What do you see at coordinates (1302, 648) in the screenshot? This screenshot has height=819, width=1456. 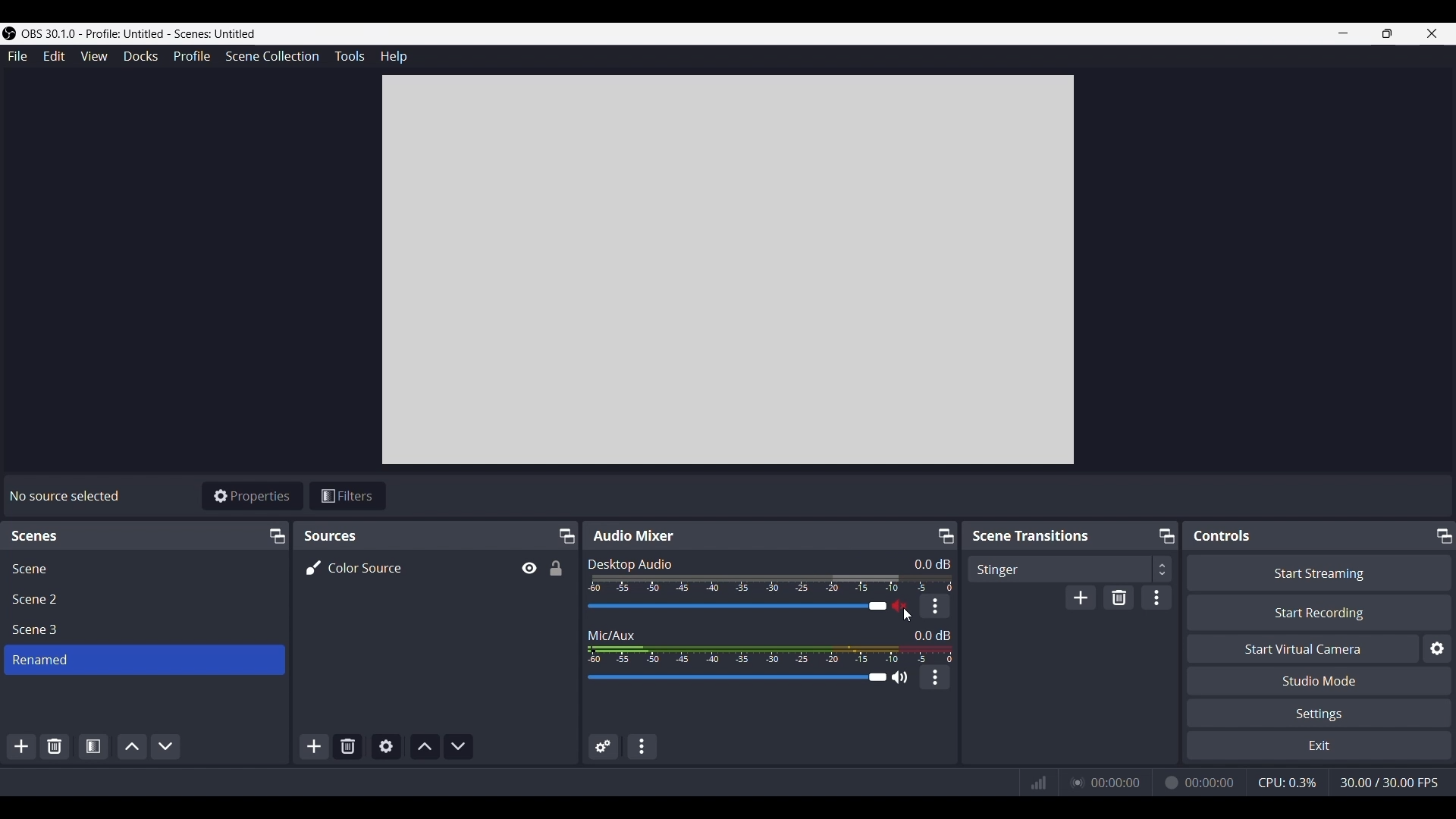 I see `Start virtual camera` at bounding box center [1302, 648].